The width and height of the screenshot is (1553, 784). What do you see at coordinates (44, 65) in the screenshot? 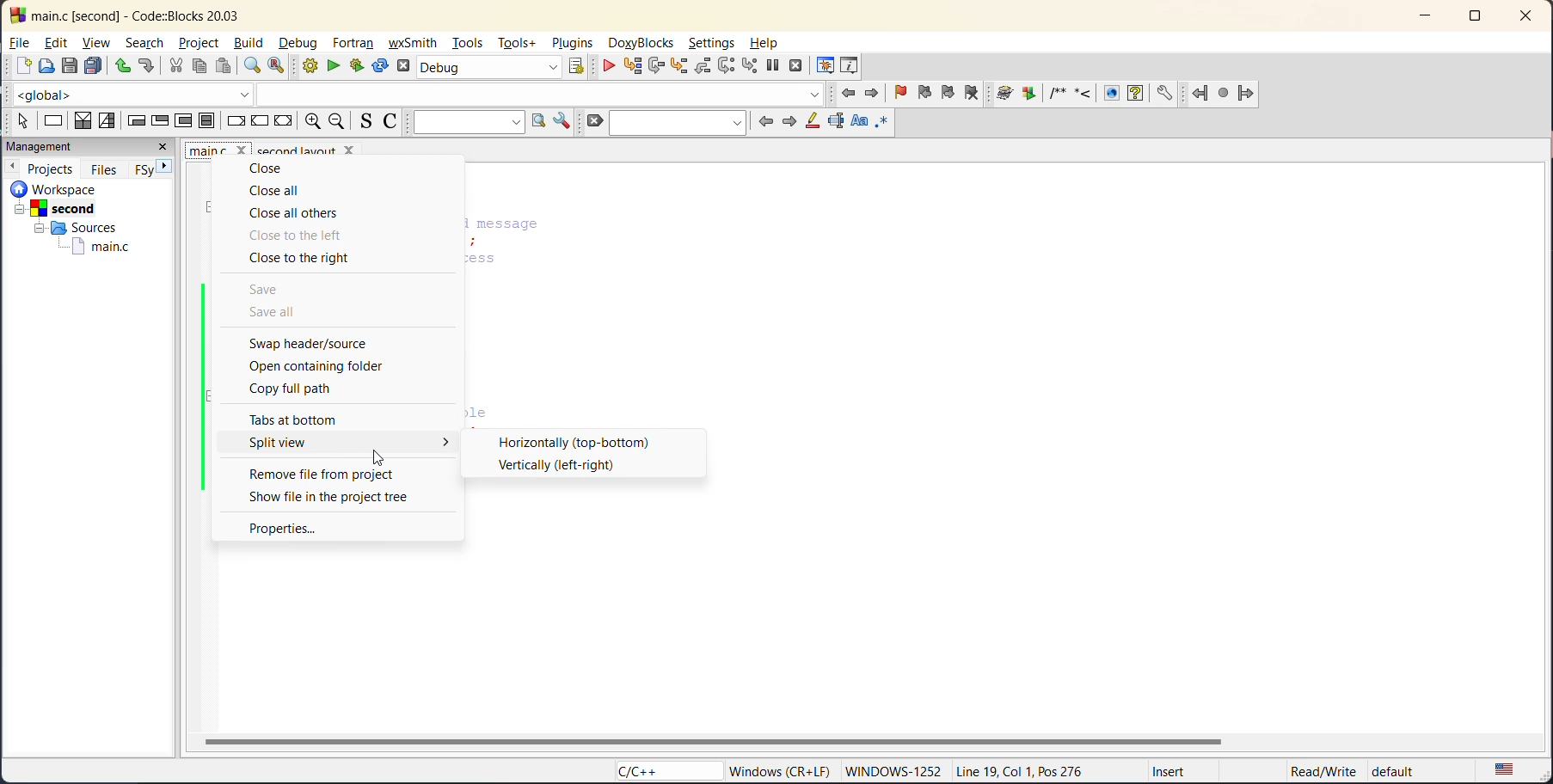
I see `open` at bounding box center [44, 65].